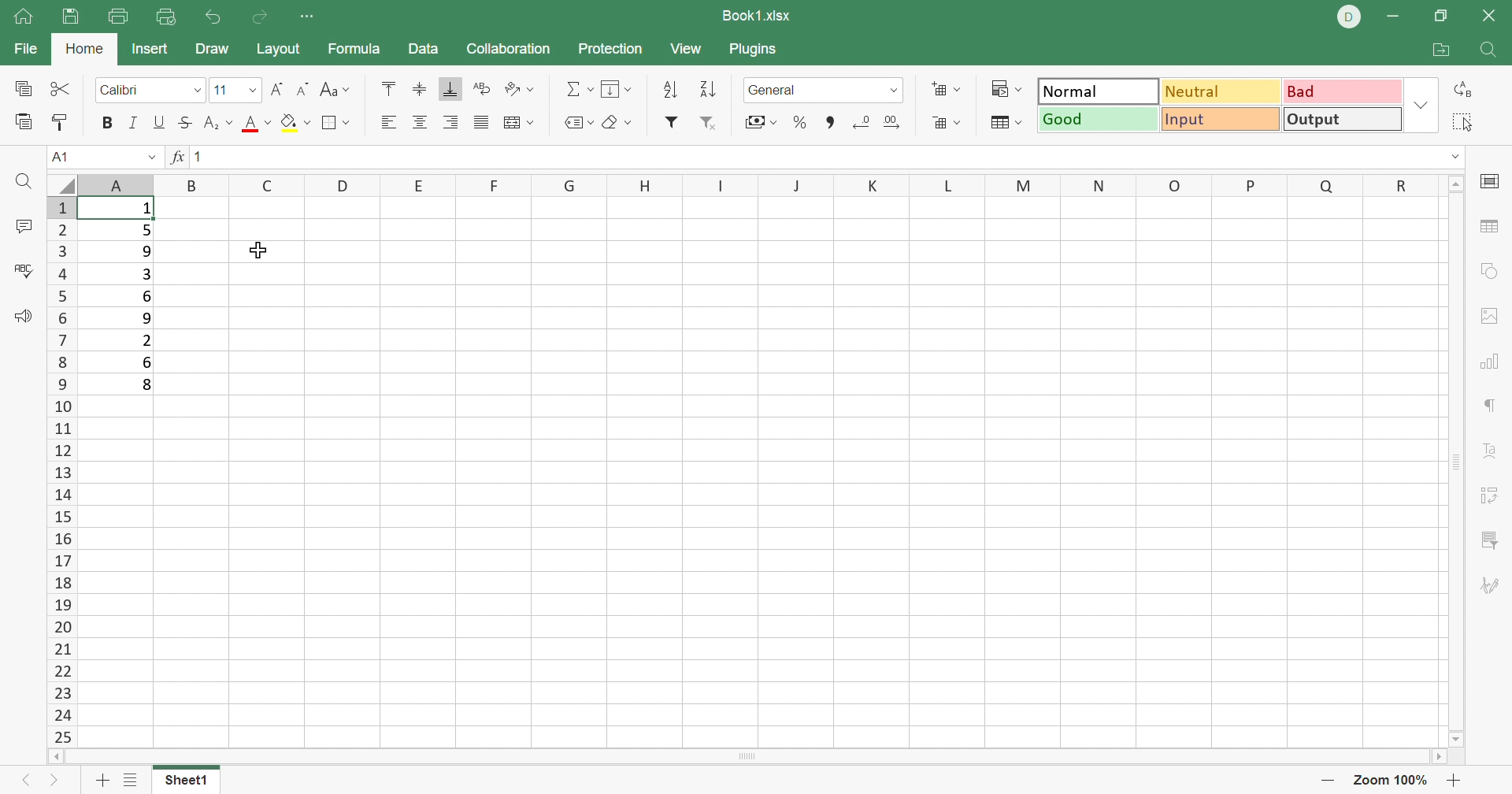  What do you see at coordinates (799, 122) in the screenshot?
I see `Percent style` at bounding box center [799, 122].